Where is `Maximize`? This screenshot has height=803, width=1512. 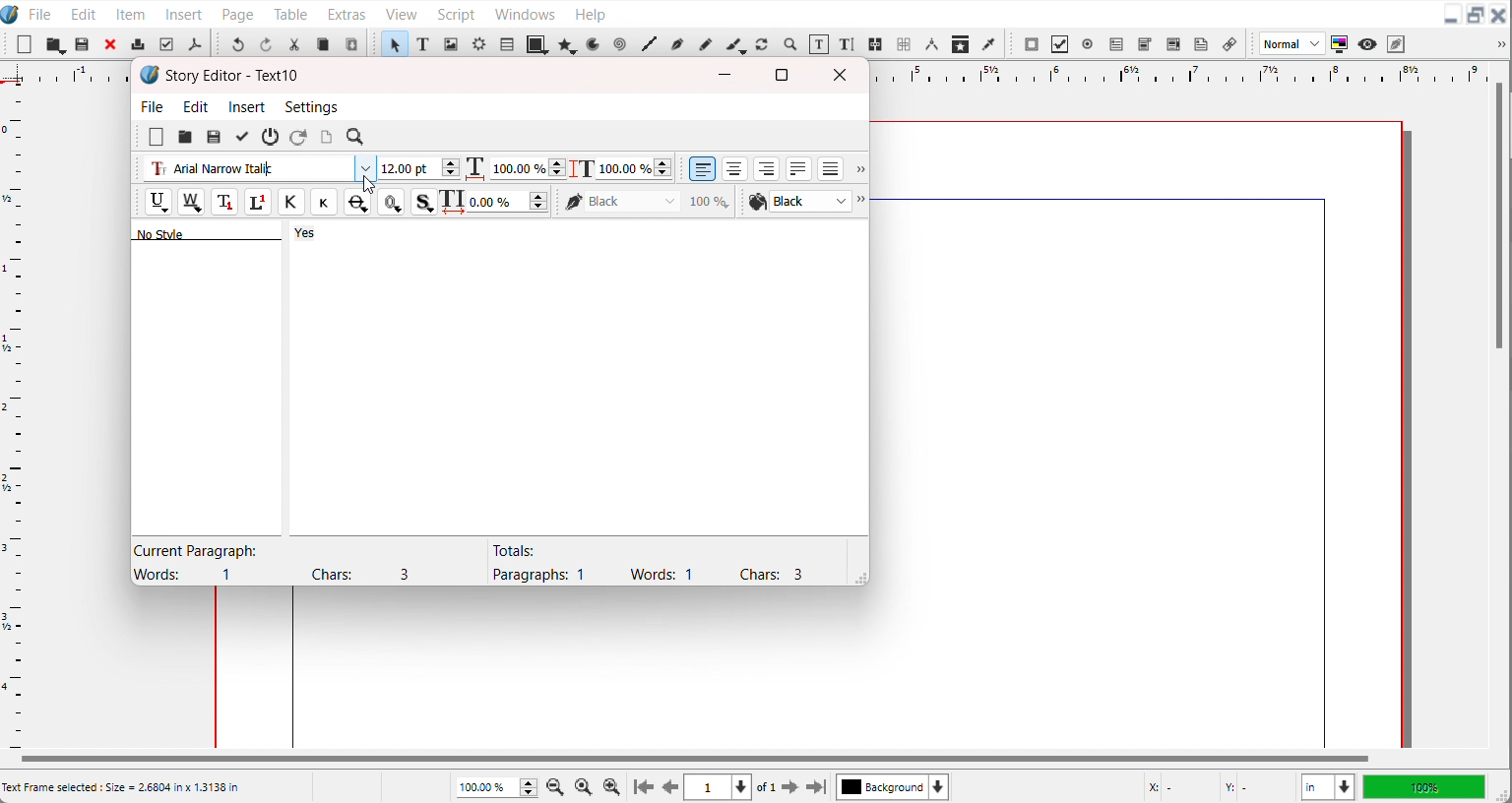
Maximize is located at coordinates (782, 74).